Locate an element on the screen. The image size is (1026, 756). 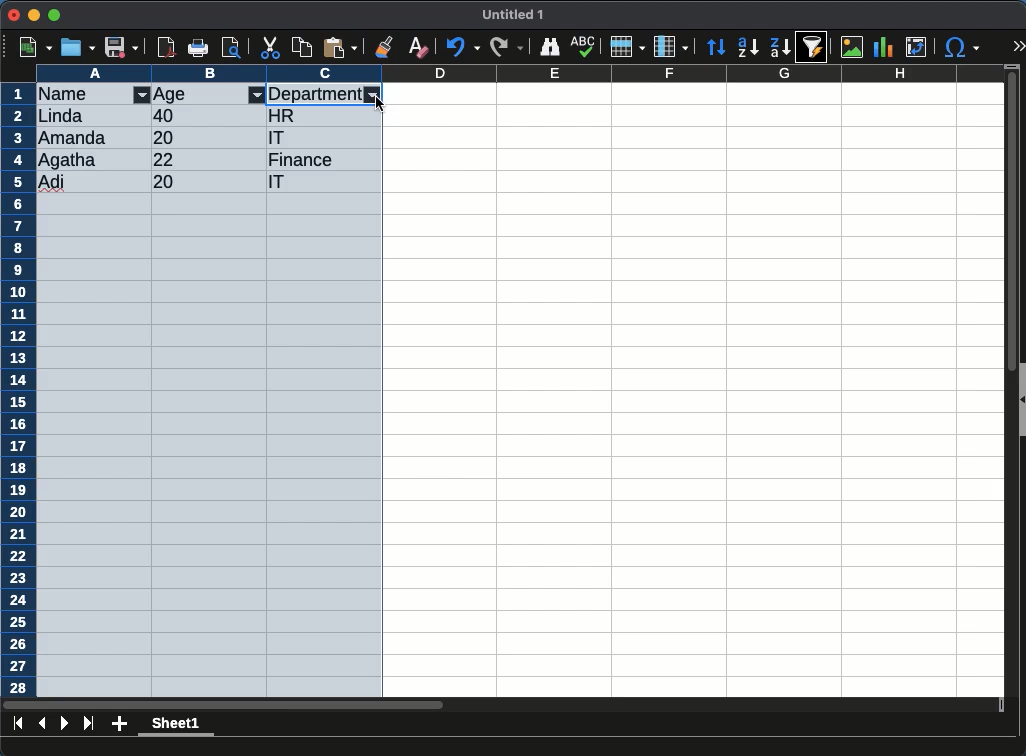
expand is located at coordinates (1018, 48).